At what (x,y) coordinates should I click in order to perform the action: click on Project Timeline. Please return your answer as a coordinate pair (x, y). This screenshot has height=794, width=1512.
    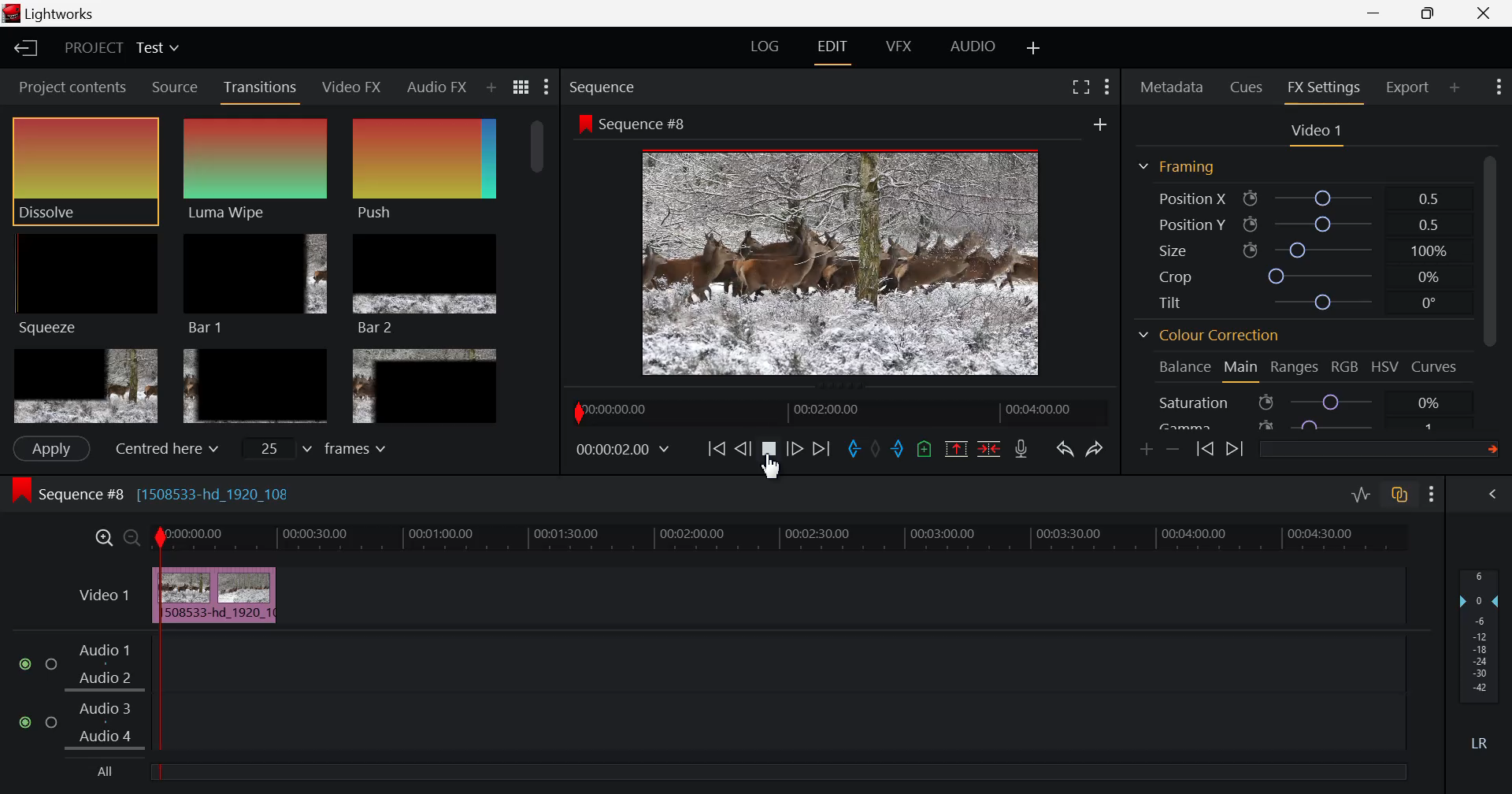
    Looking at the image, I should click on (797, 539).